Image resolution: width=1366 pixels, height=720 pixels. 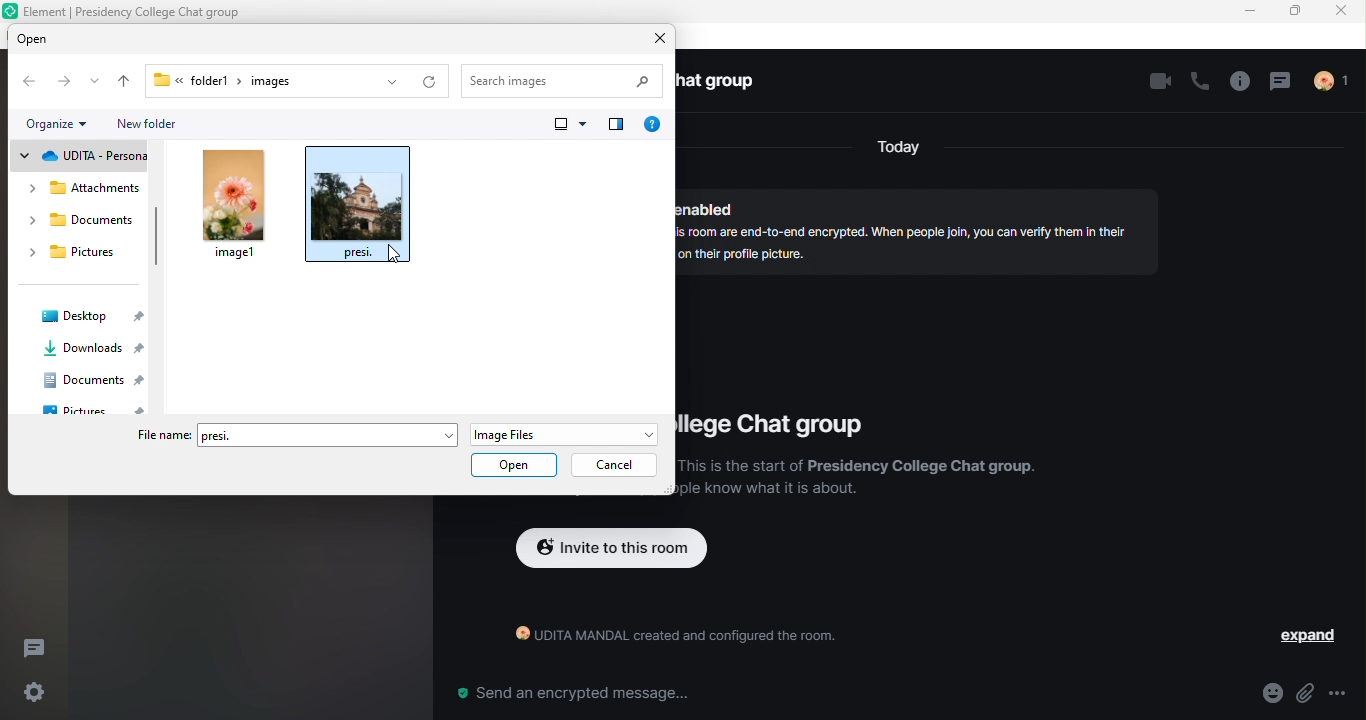 What do you see at coordinates (85, 189) in the screenshot?
I see `attachments` at bounding box center [85, 189].